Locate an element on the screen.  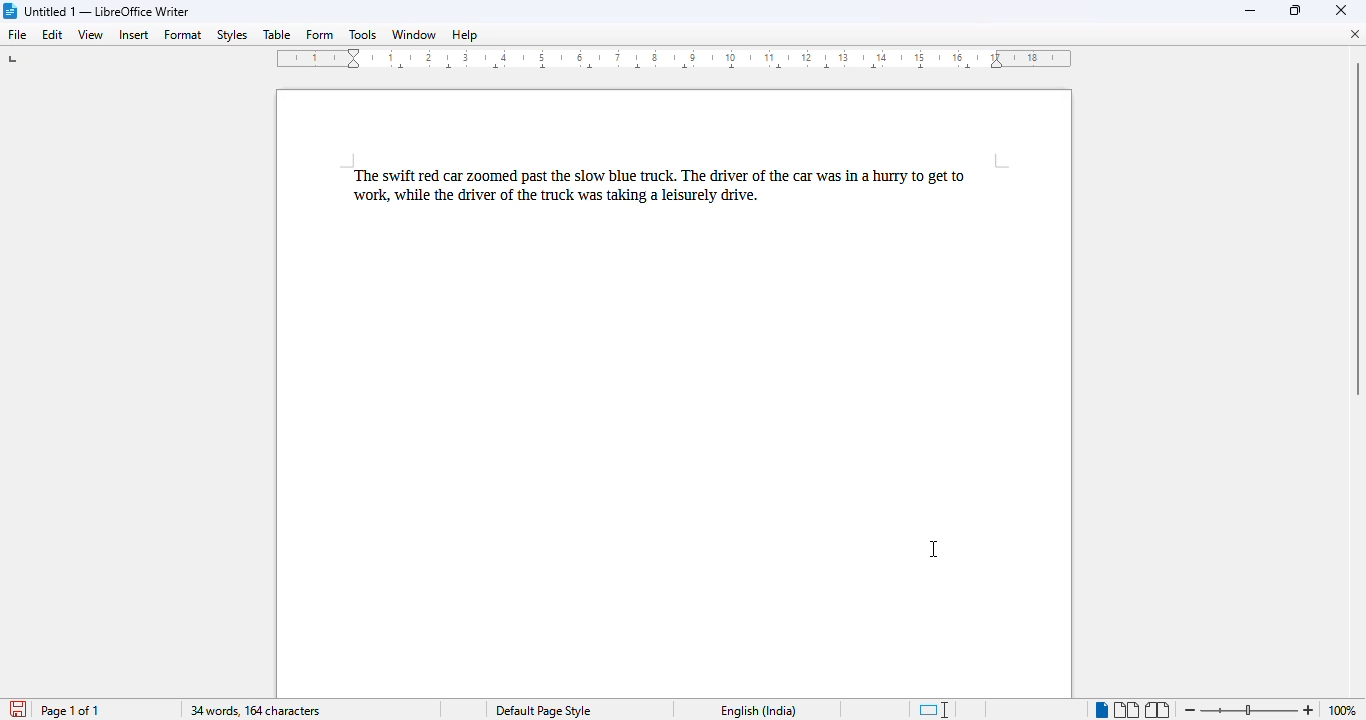
tools is located at coordinates (364, 35).